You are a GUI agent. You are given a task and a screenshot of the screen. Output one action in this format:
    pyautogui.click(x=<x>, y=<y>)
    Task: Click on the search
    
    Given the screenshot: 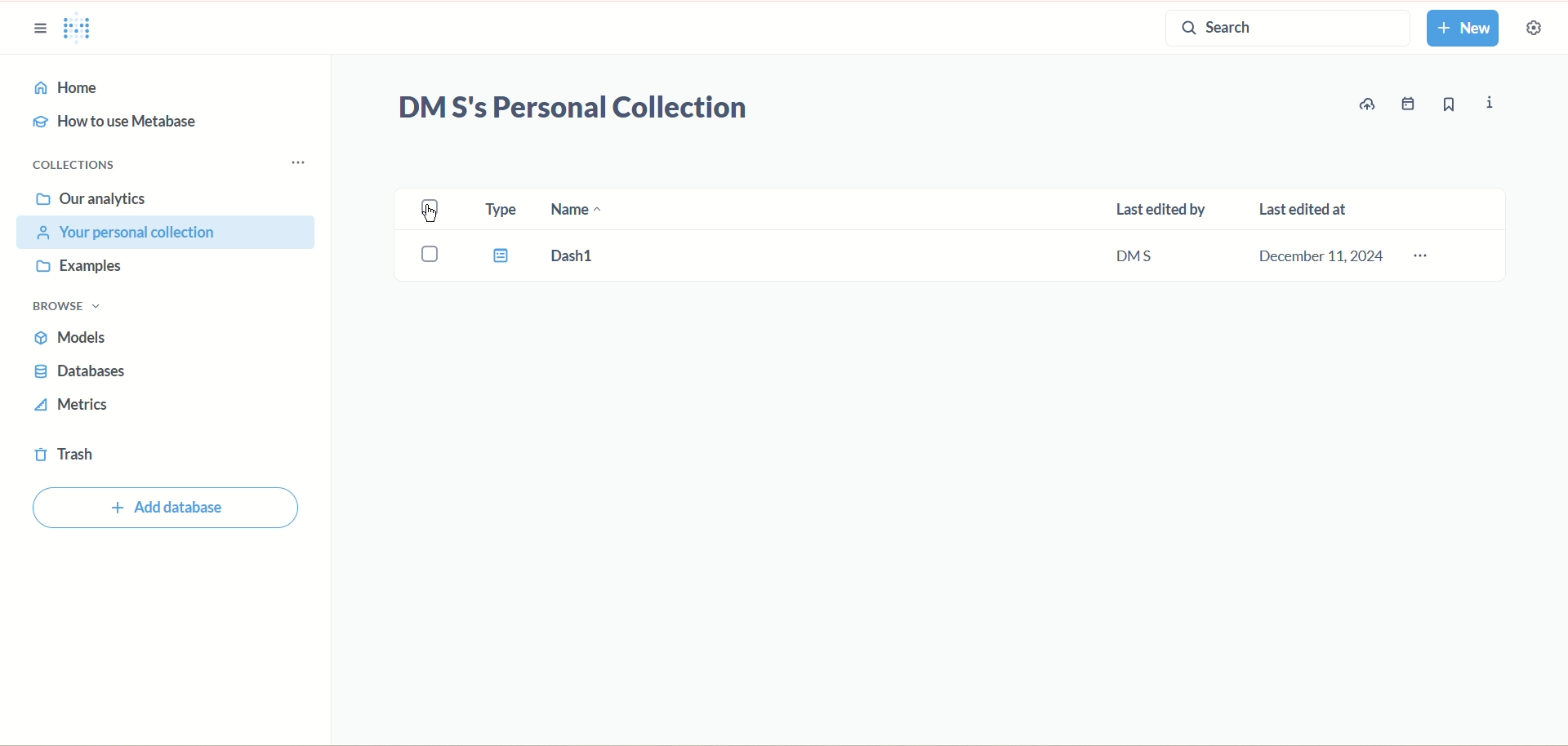 What is the action you would take?
    pyautogui.click(x=1288, y=28)
    